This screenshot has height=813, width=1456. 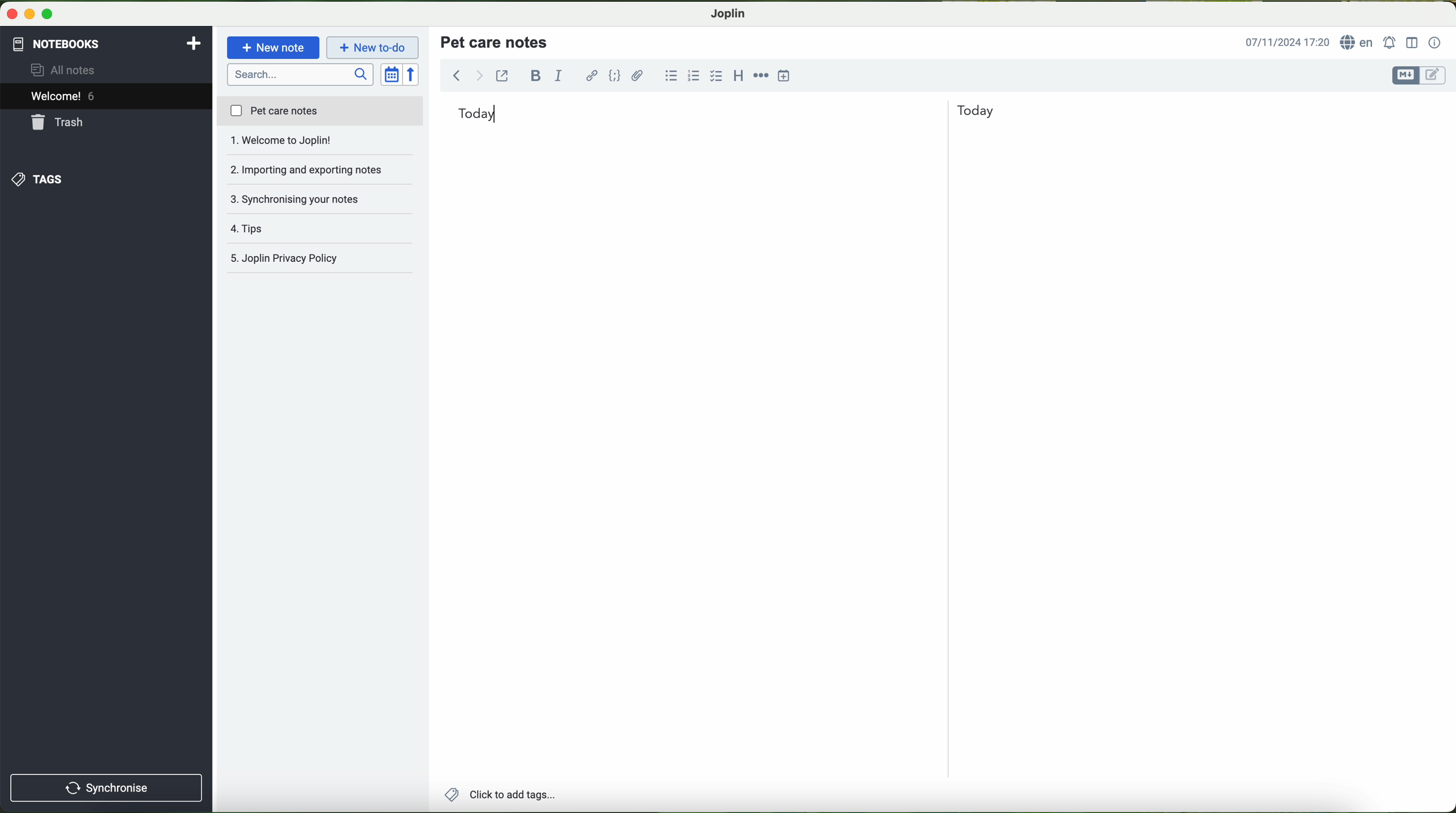 I want to click on horizontal rule, so click(x=761, y=74).